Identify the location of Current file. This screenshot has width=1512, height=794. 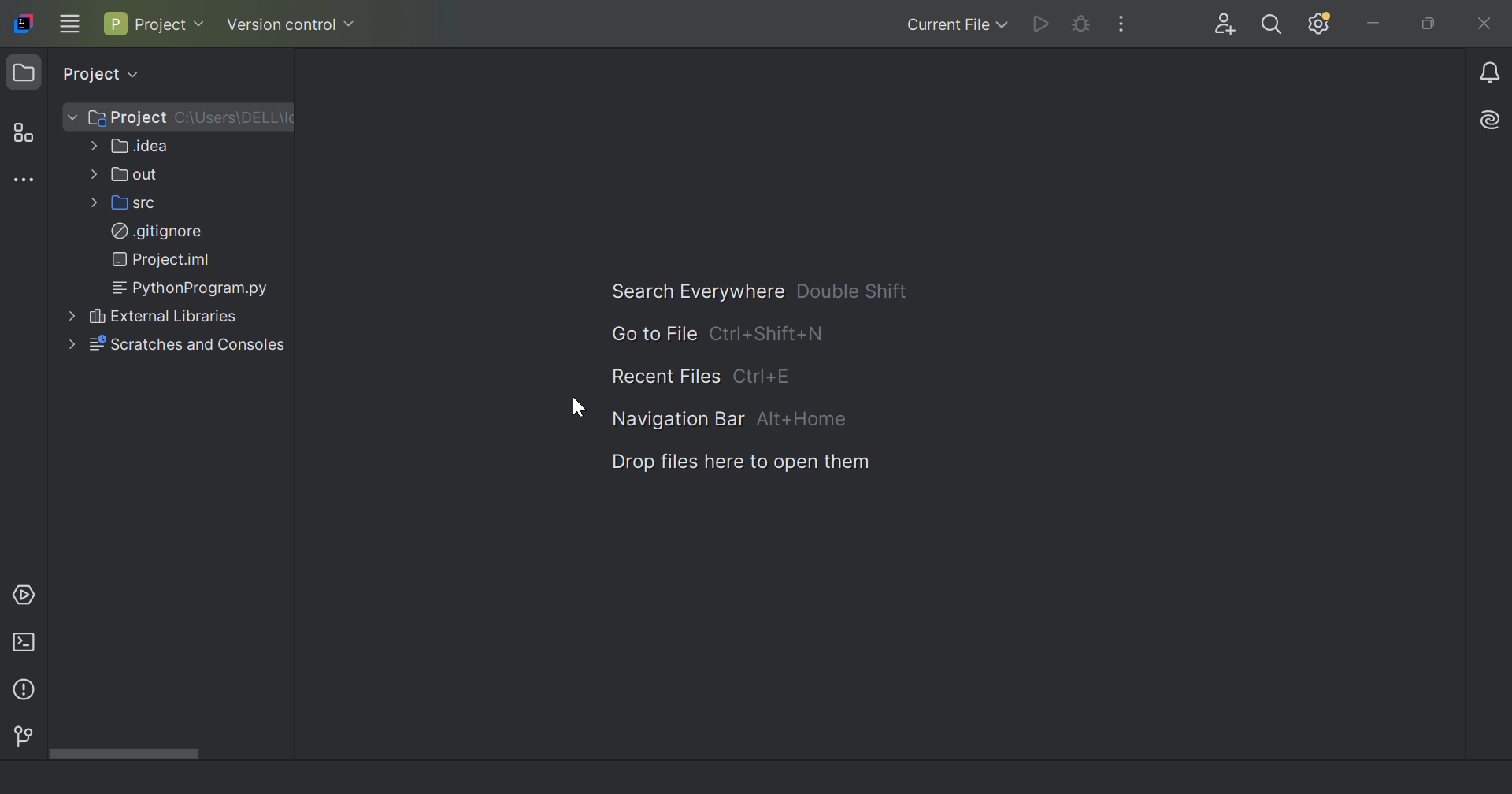
(957, 25).